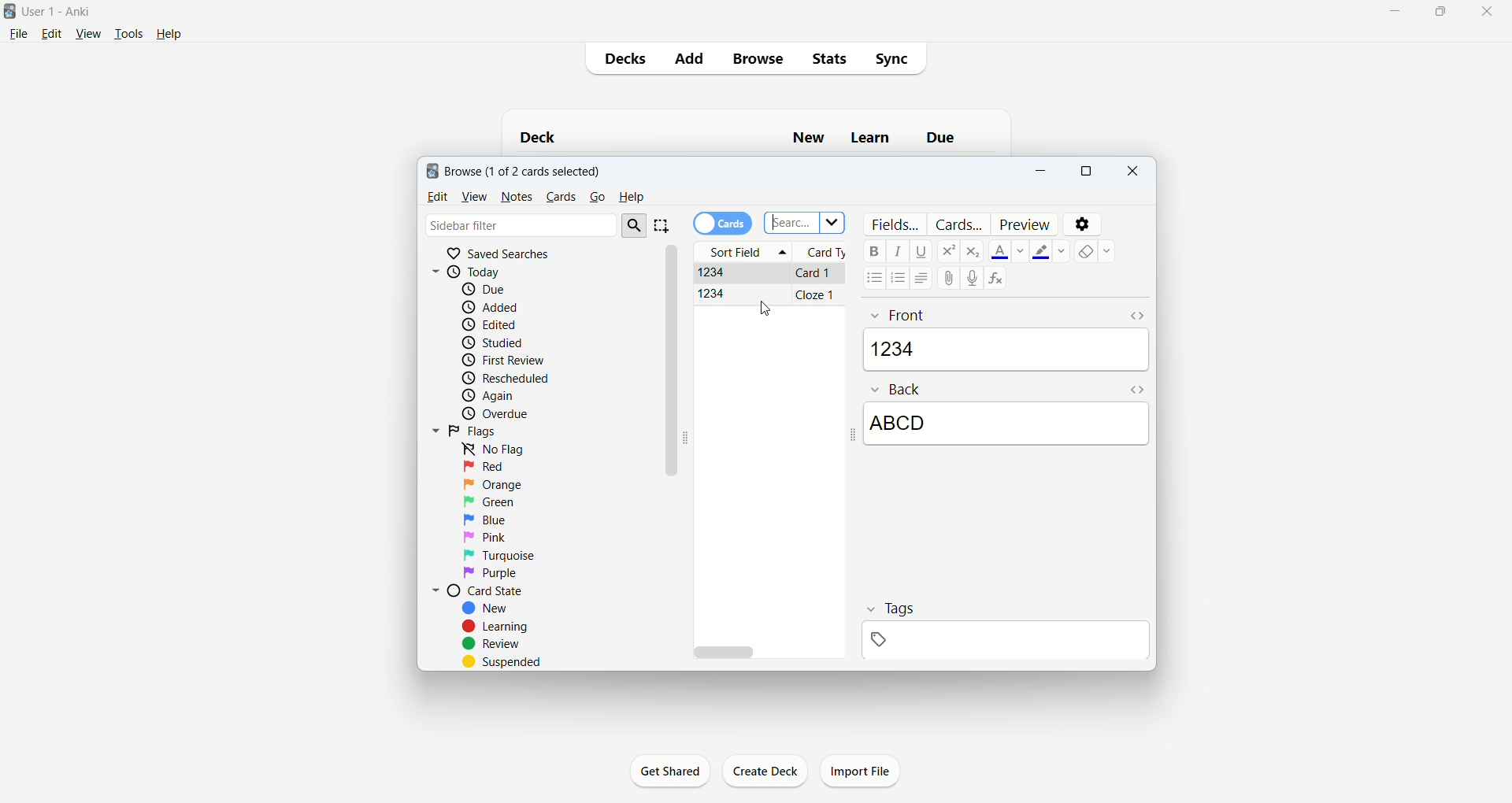  I want to click on HTML editor, so click(1140, 390).